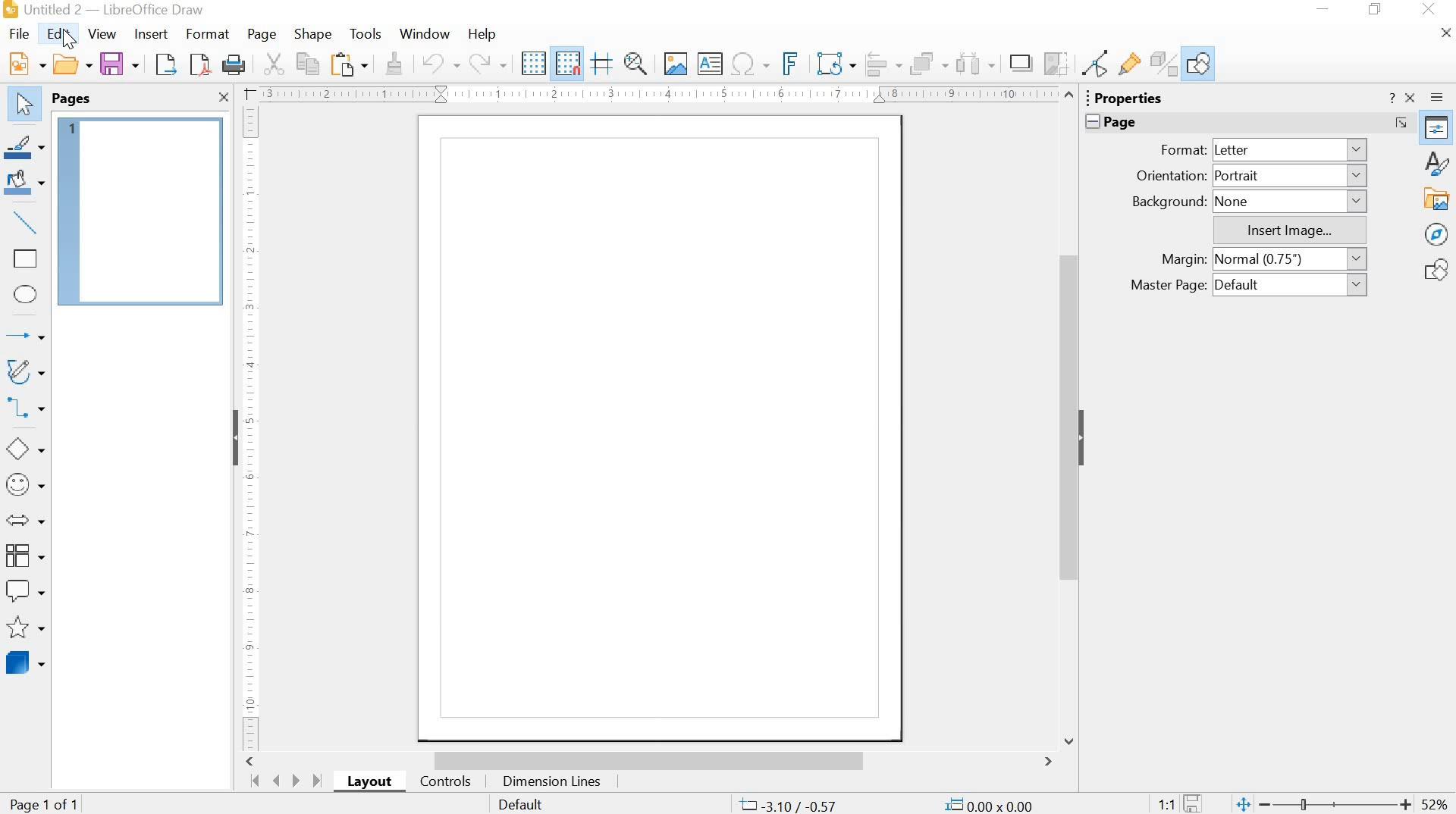 This screenshot has width=1456, height=814. Describe the element at coordinates (1125, 98) in the screenshot. I see `Properties` at that location.